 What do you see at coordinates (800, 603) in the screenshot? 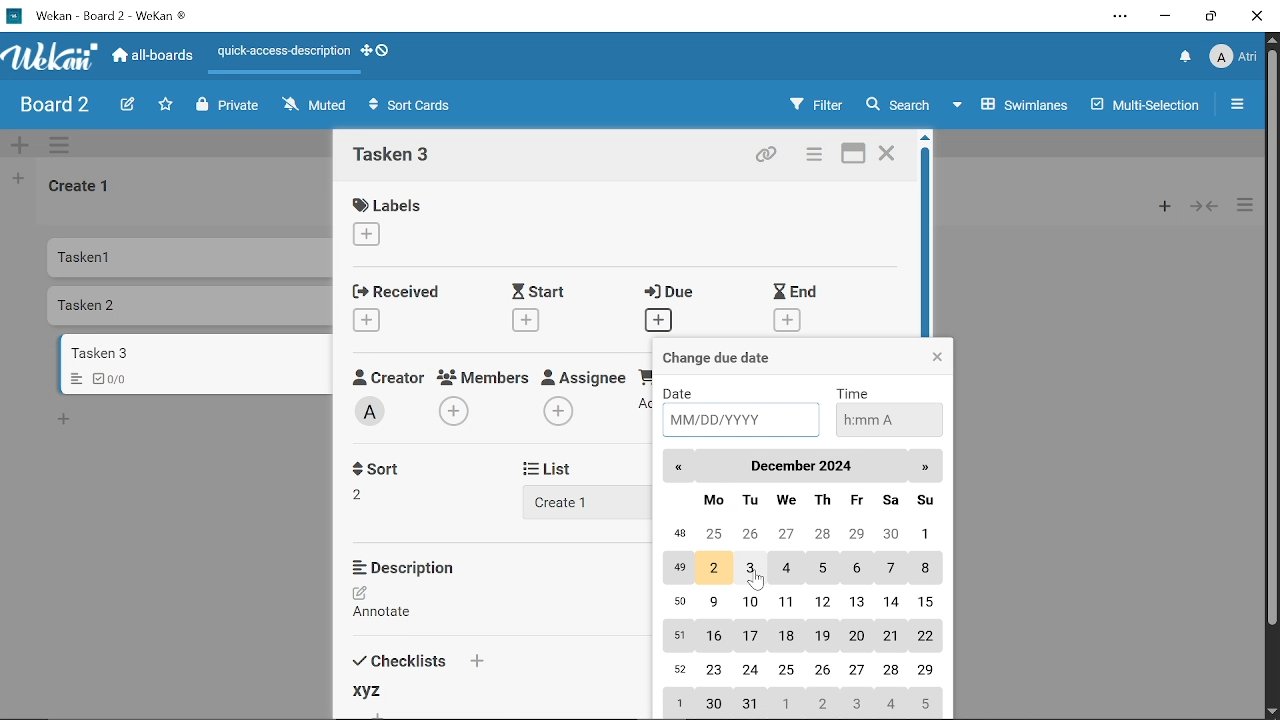
I see `Calender` at bounding box center [800, 603].